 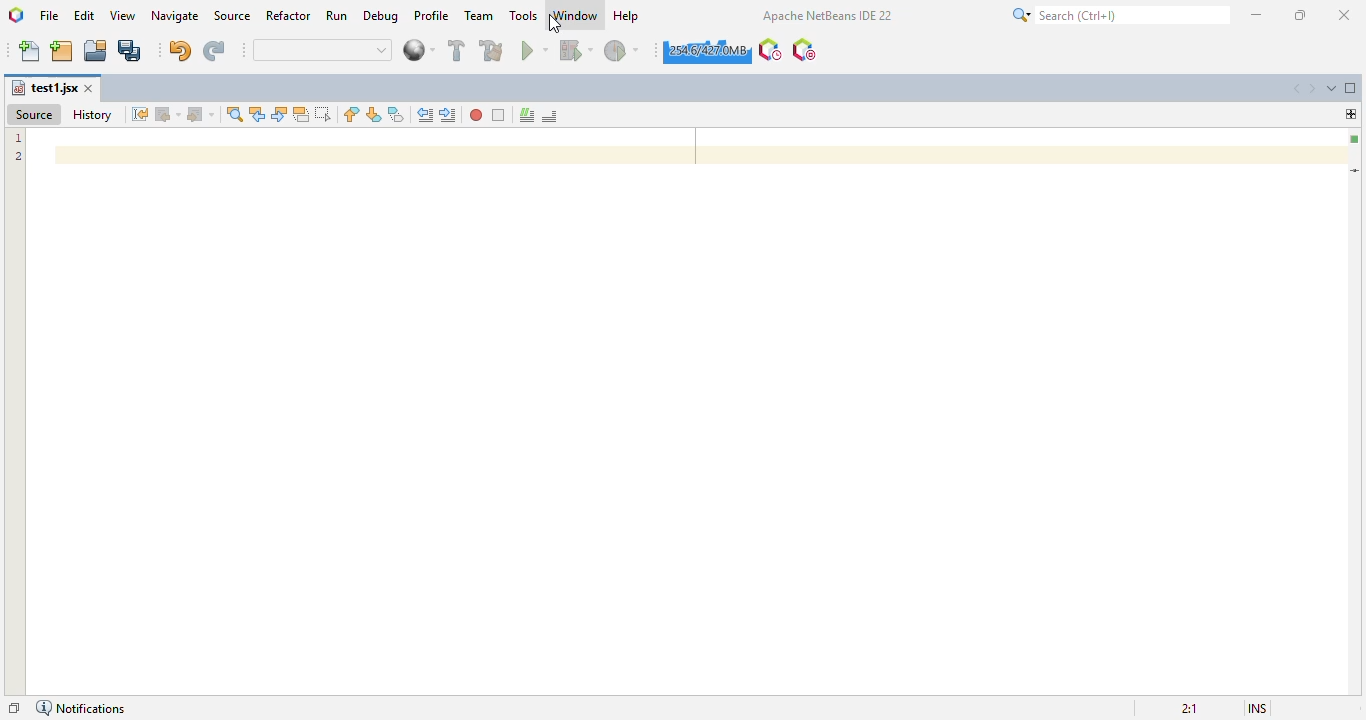 What do you see at coordinates (524, 15) in the screenshot?
I see `tools` at bounding box center [524, 15].